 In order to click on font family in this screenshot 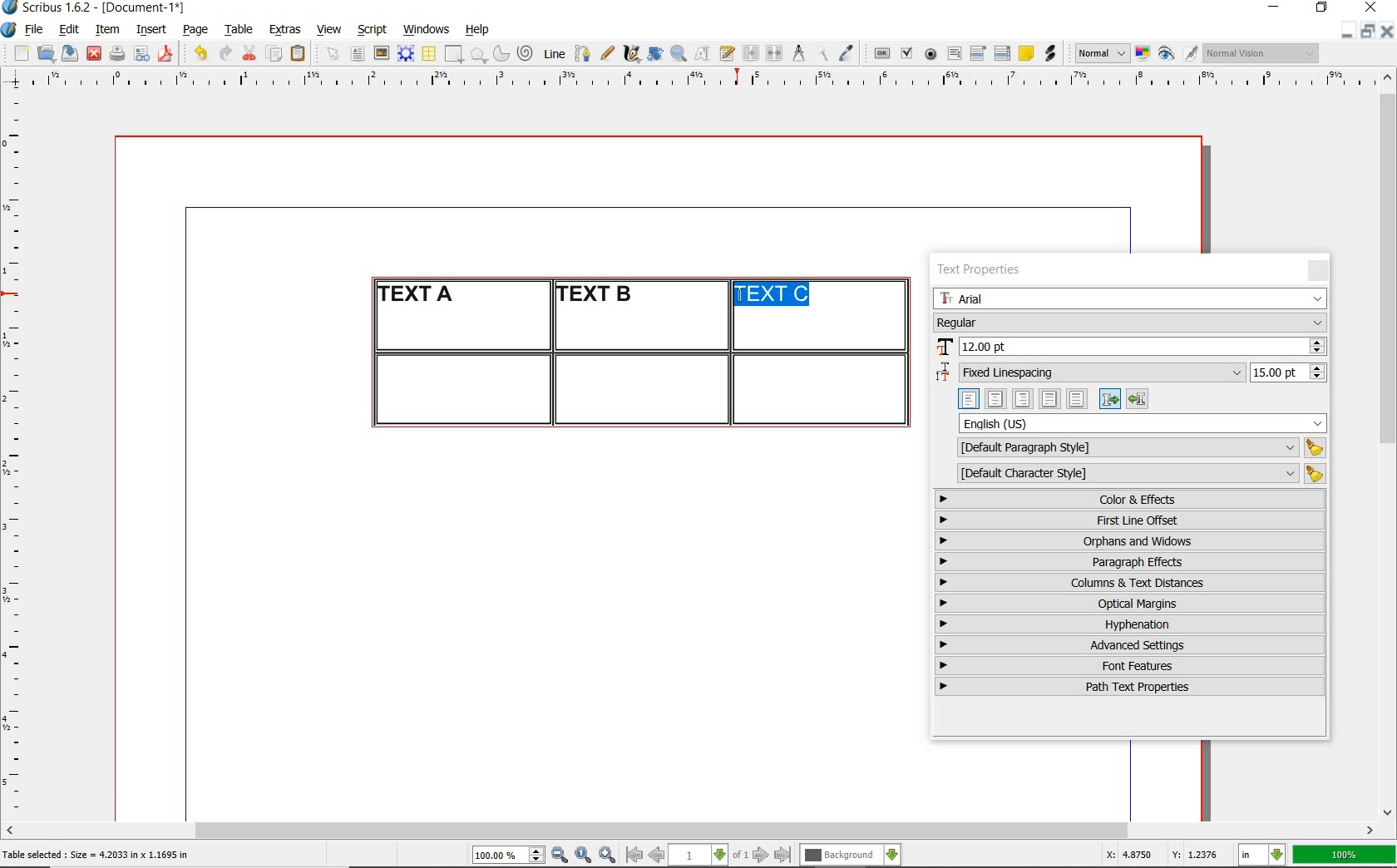, I will do `click(1132, 298)`.